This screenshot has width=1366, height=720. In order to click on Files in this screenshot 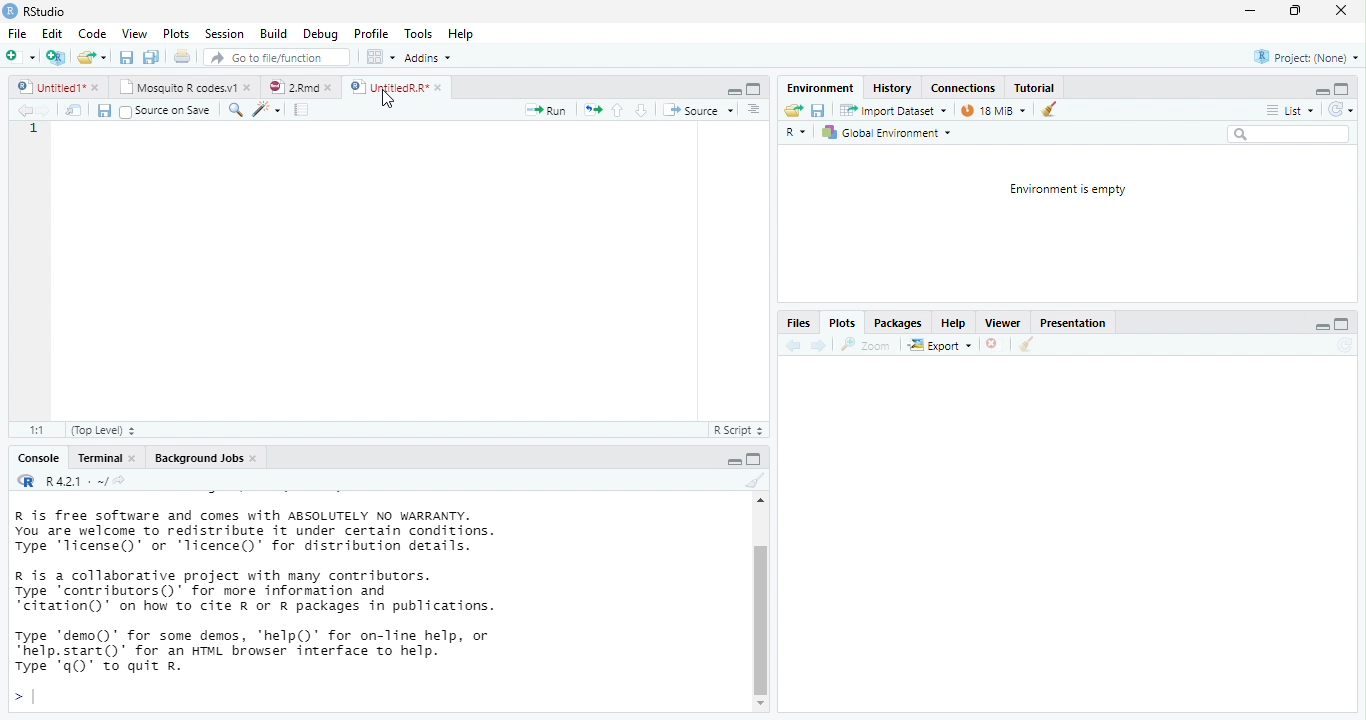, I will do `click(797, 324)`.